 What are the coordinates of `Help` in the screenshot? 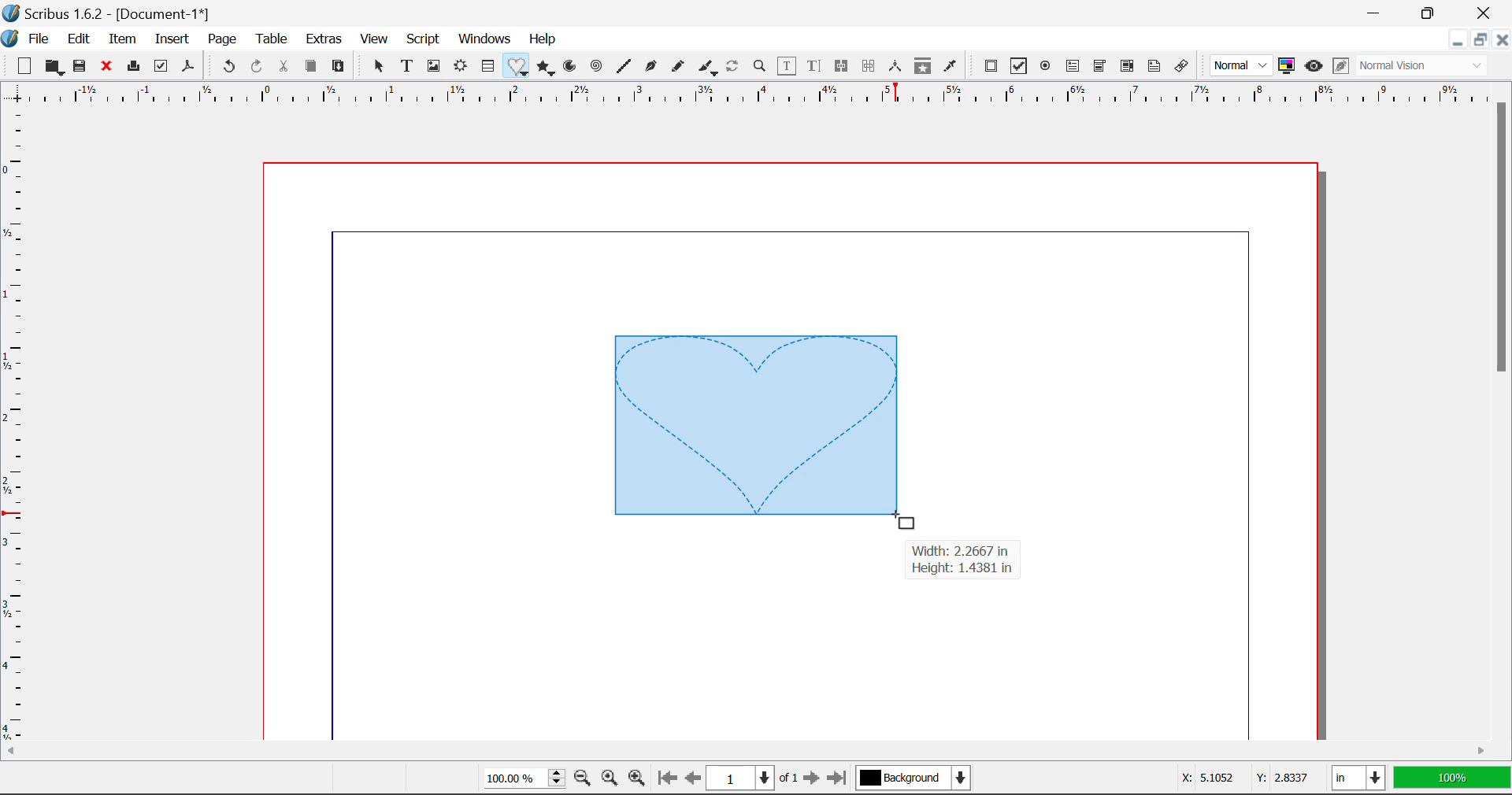 It's located at (543, 39).